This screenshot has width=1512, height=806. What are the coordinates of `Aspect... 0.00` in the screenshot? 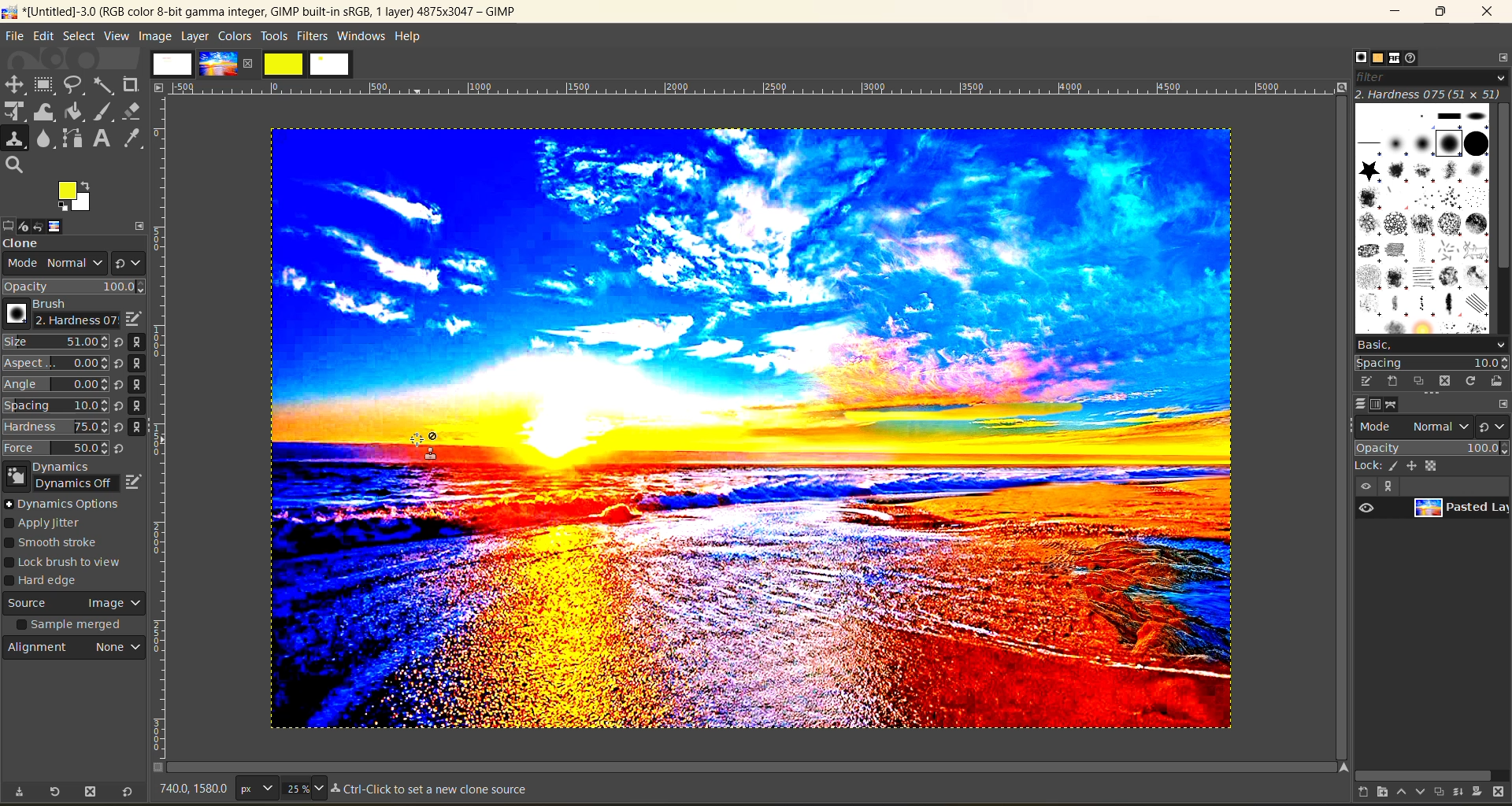 It's located at (56, 364).